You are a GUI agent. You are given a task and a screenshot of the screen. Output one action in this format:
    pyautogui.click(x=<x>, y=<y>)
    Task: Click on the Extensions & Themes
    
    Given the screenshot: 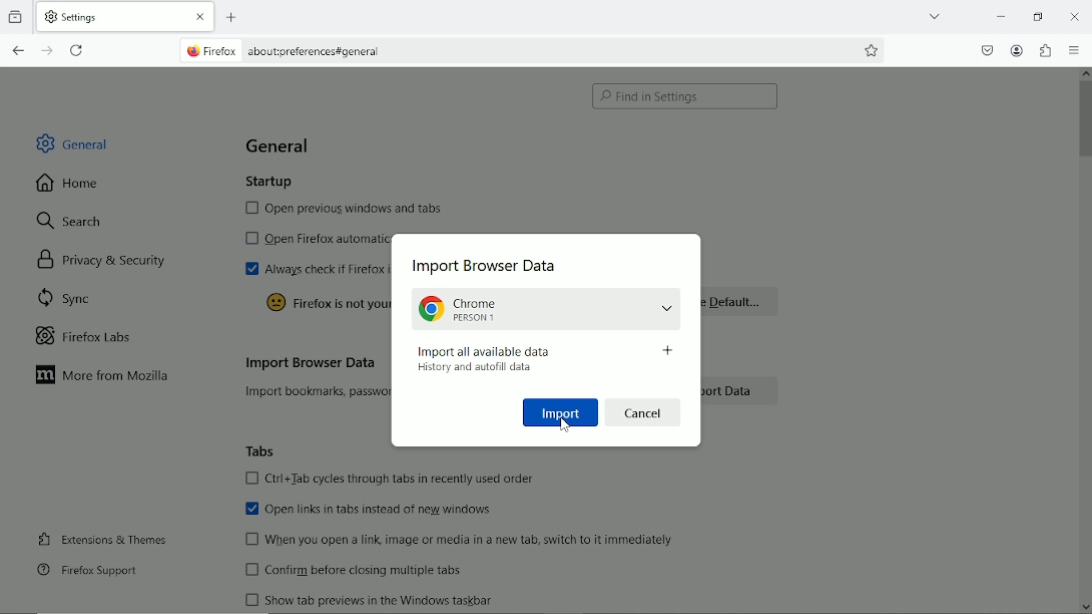 What is the action you would take?
    pyautogui.click(x=104, y=538)
    